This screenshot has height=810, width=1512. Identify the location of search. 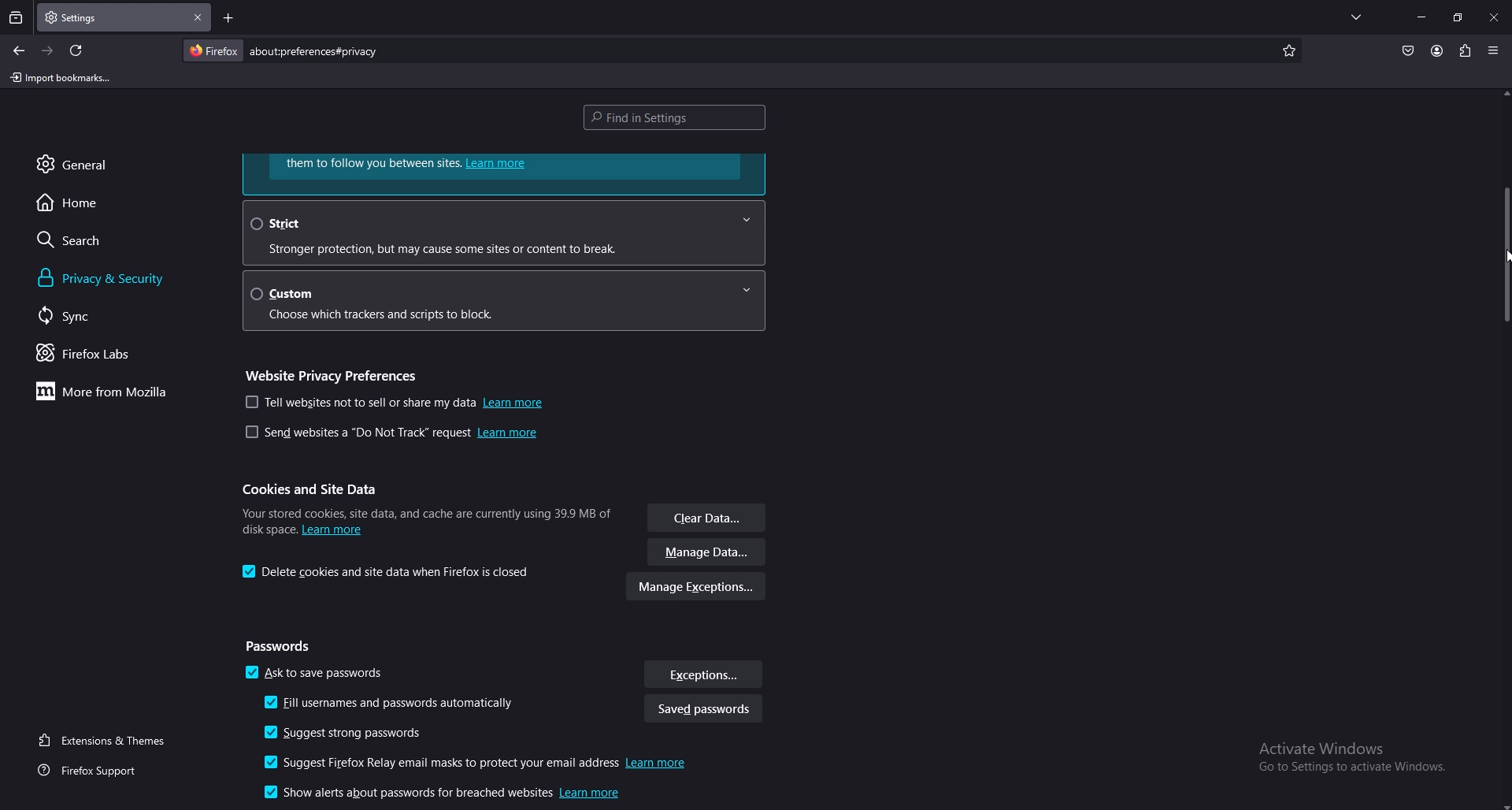
(97, 240).